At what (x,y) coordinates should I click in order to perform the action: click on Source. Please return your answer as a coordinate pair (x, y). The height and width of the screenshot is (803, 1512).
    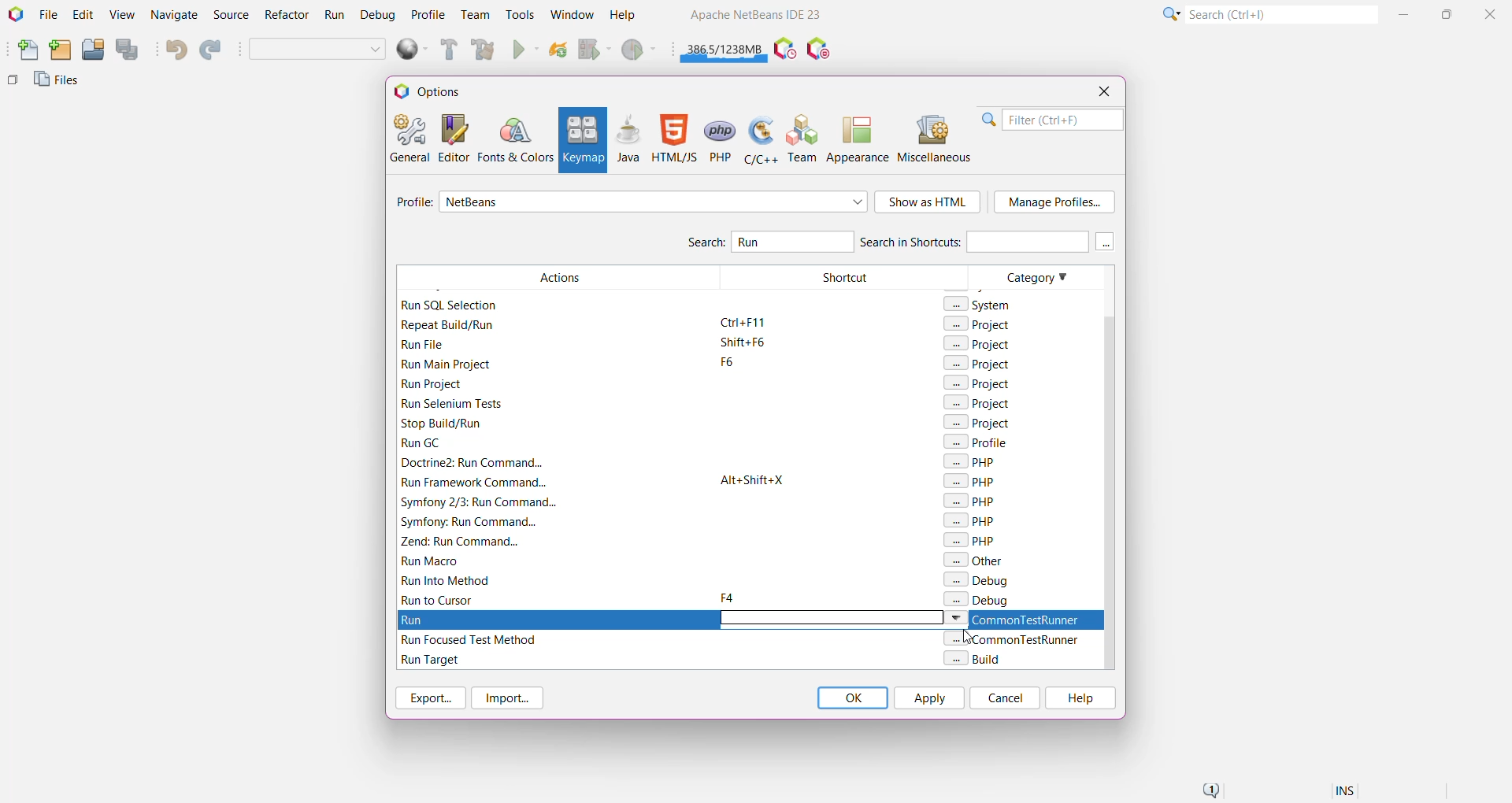
    Looking at the image, I should click on (233, 15).